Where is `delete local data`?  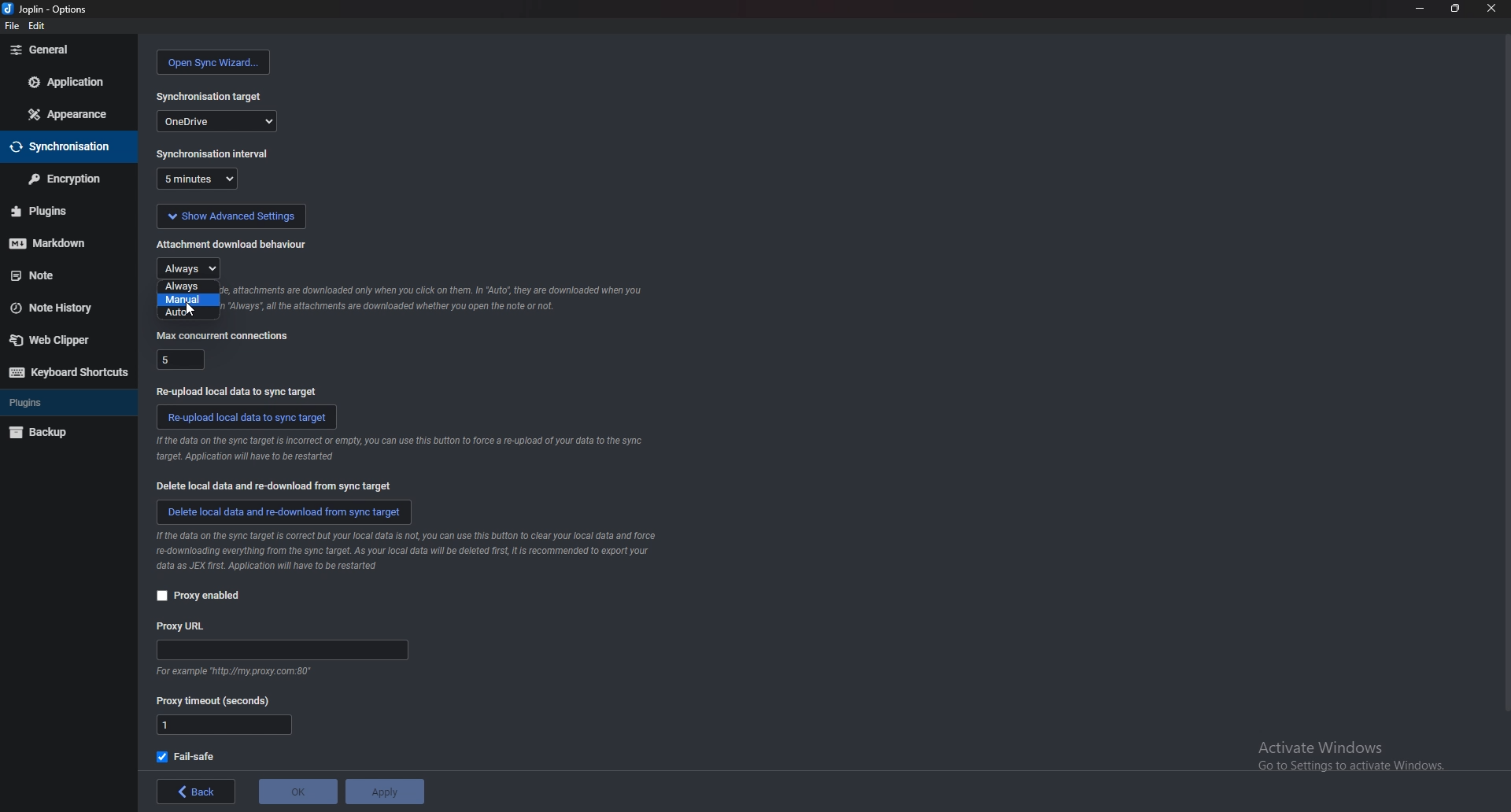
delete local data is located at coordinates (275, 485).